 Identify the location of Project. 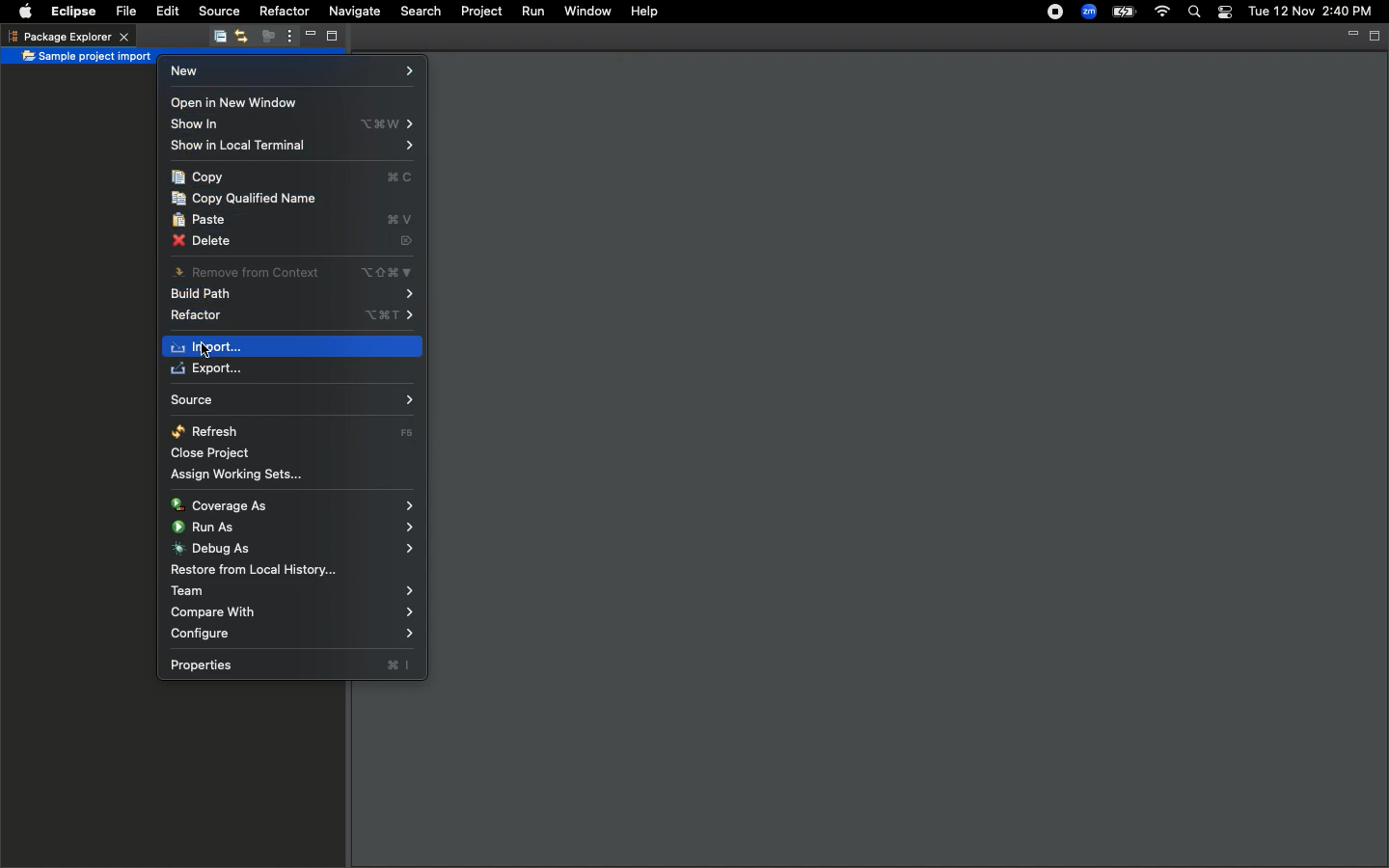
(480, 13).